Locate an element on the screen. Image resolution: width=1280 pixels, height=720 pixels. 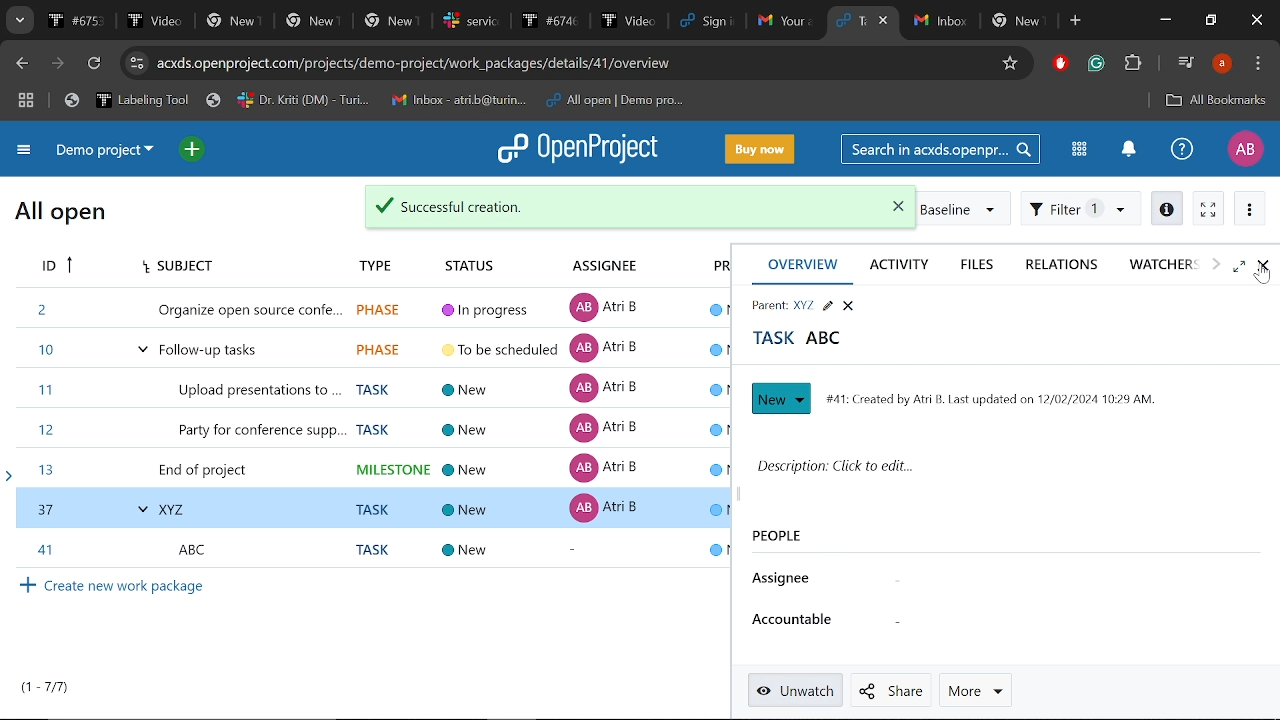
Move right is located at coordinates (1216, 264).